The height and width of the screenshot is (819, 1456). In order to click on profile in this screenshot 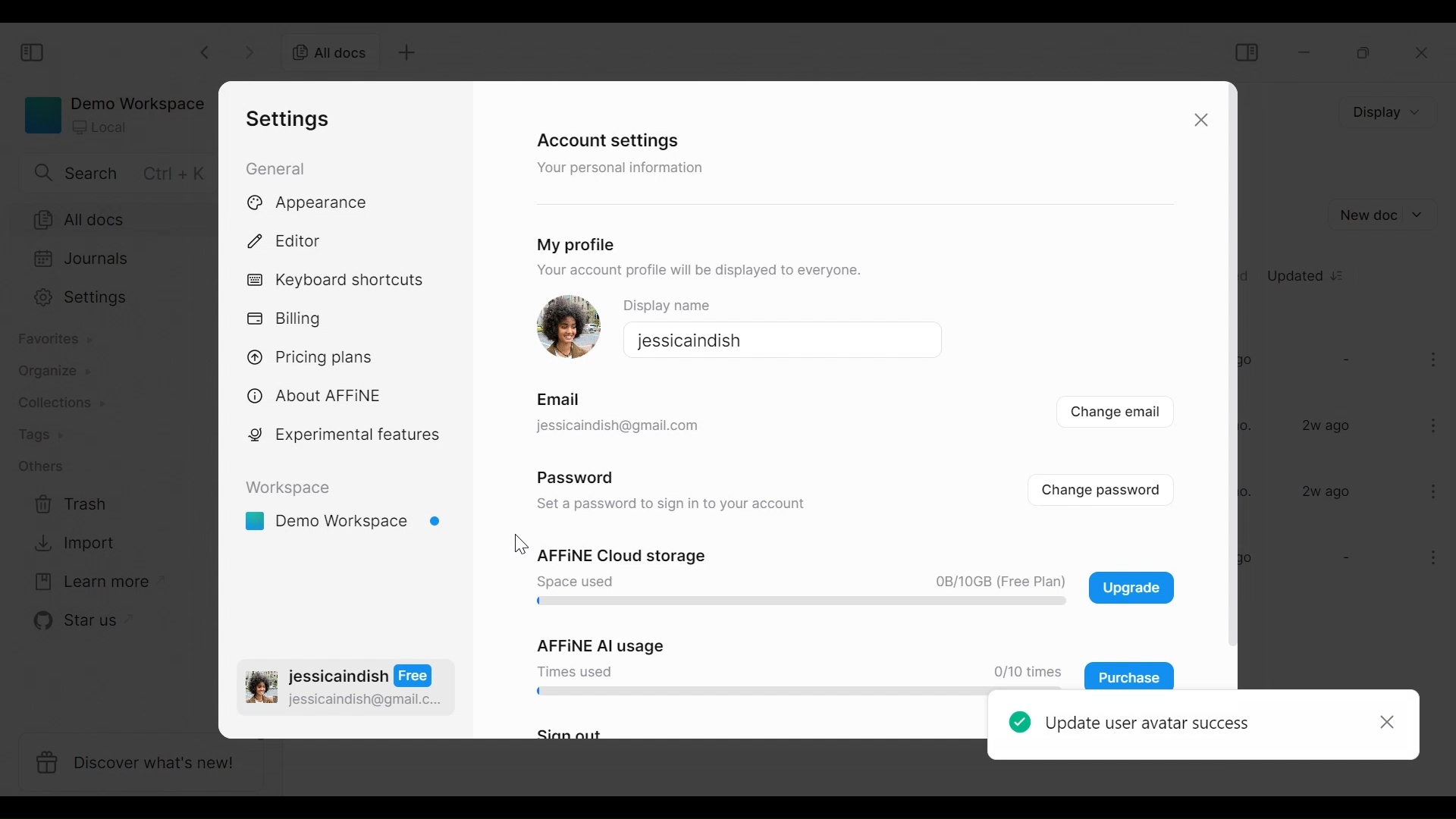, I will do `click(262, 690)`.